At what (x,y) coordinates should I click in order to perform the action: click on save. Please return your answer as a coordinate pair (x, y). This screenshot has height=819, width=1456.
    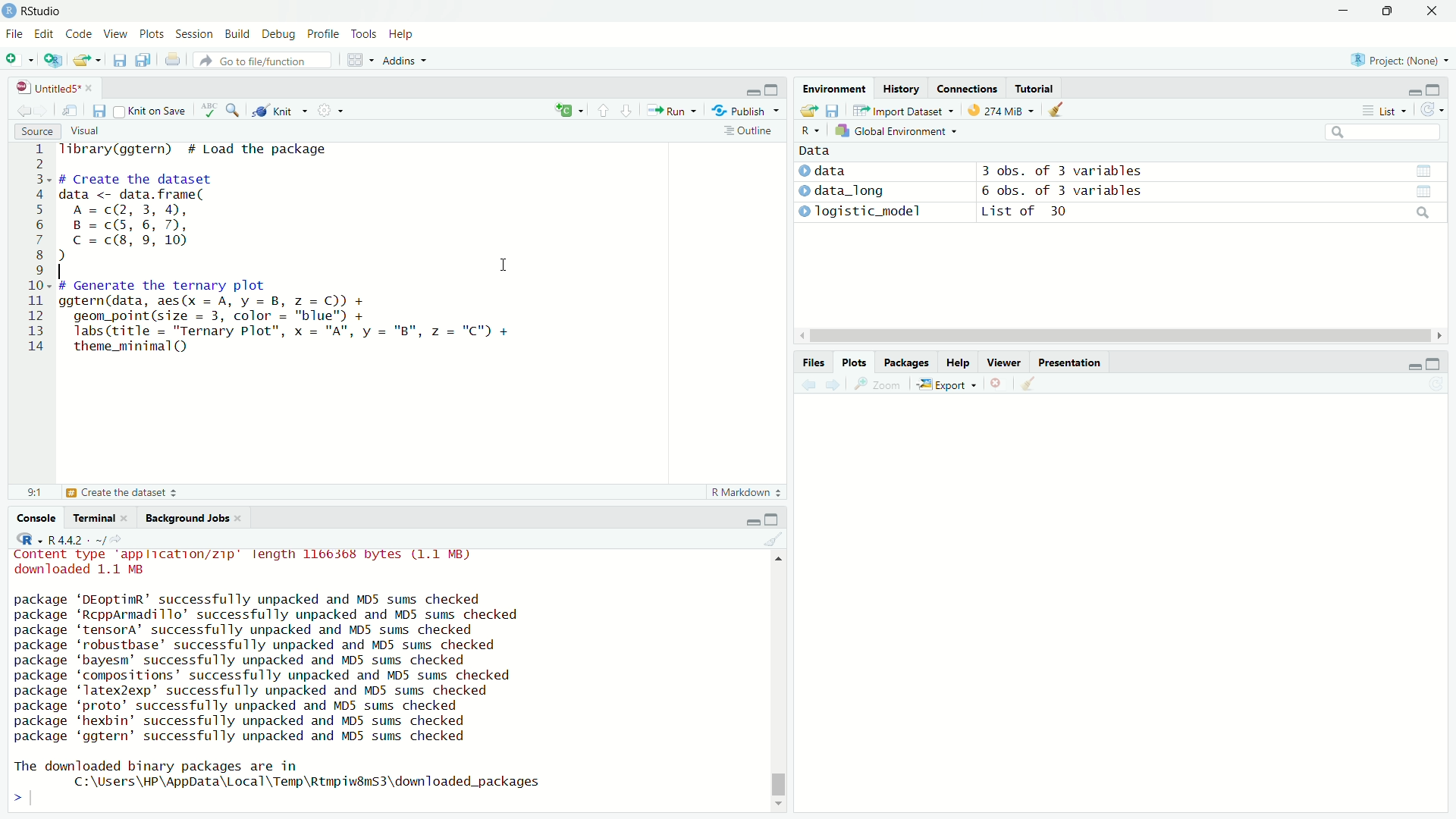
    Looking at the image, I should click on (835, 108).